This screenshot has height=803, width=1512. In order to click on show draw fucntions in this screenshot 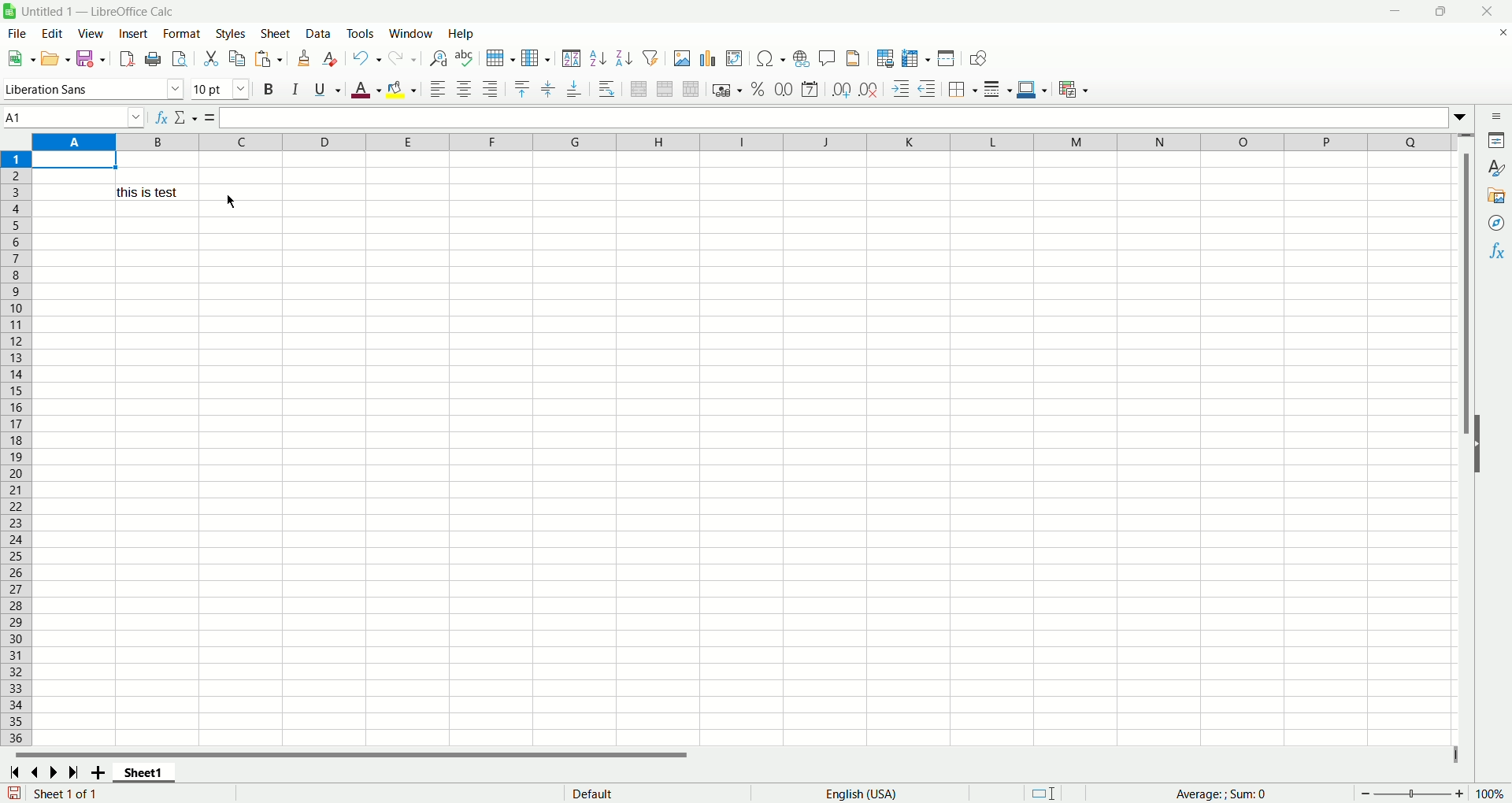, I will do `click(978, 59)`.